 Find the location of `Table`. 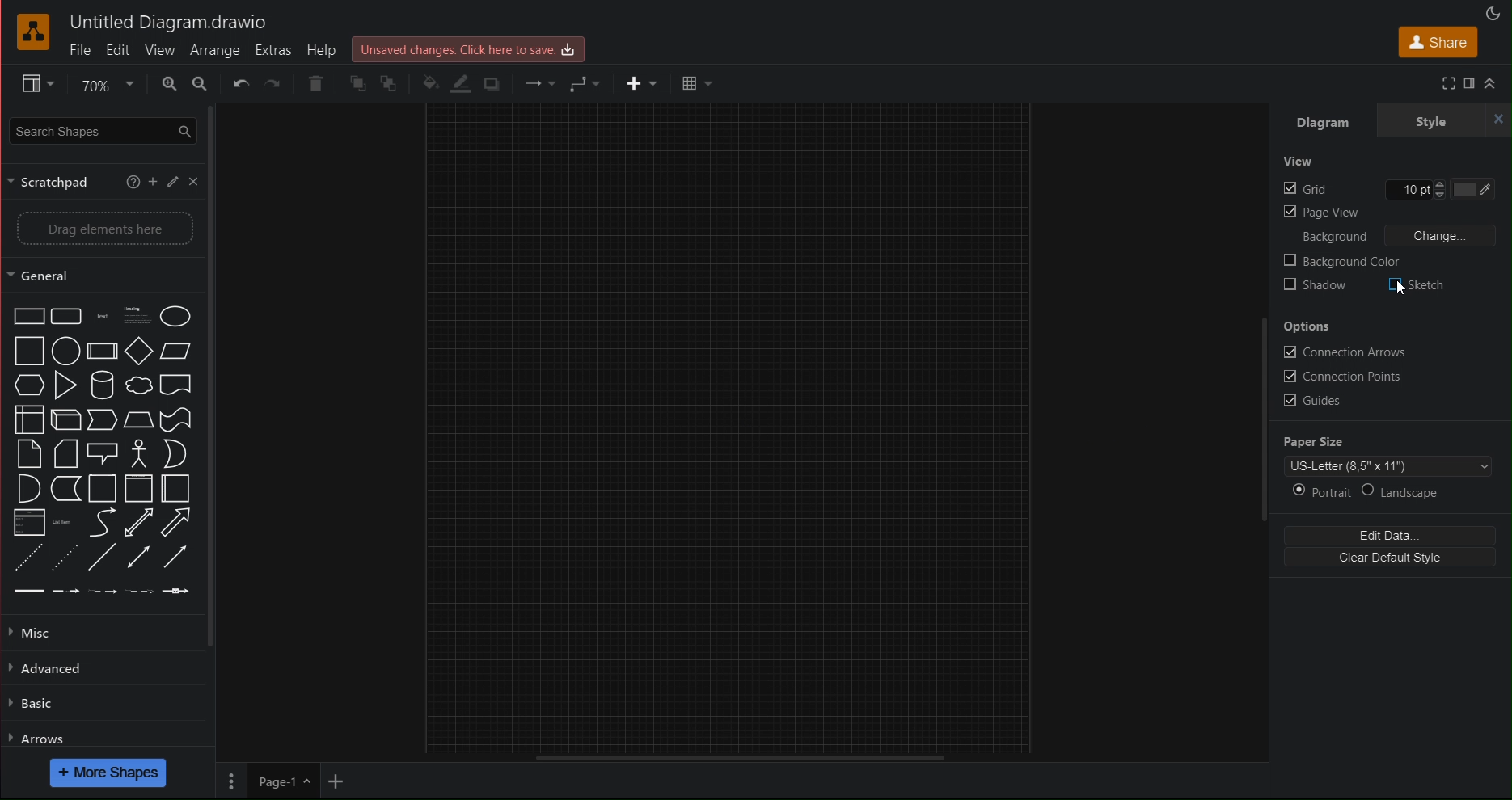

Table is located at coordinates (697, 81).